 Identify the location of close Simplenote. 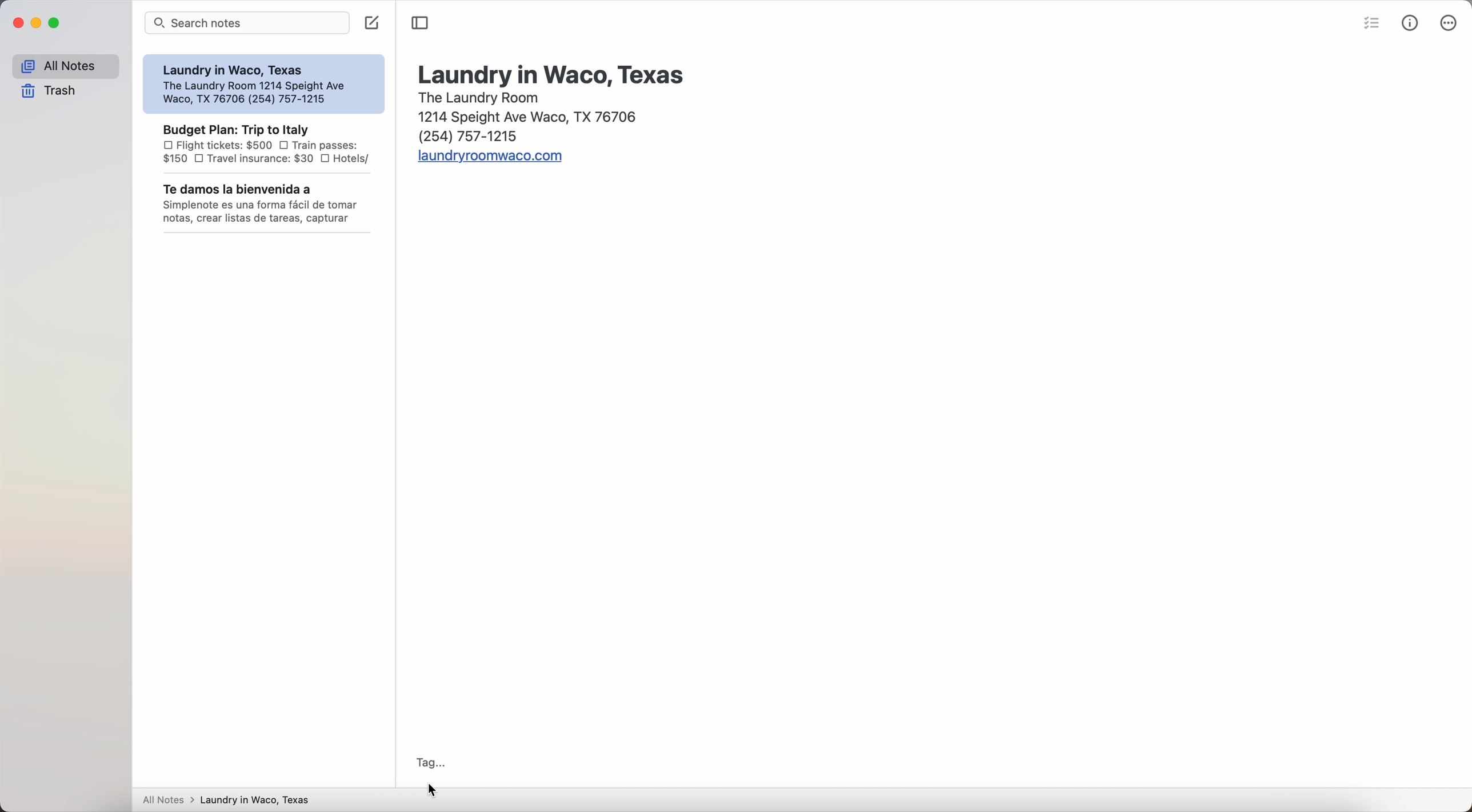
(18, 24).